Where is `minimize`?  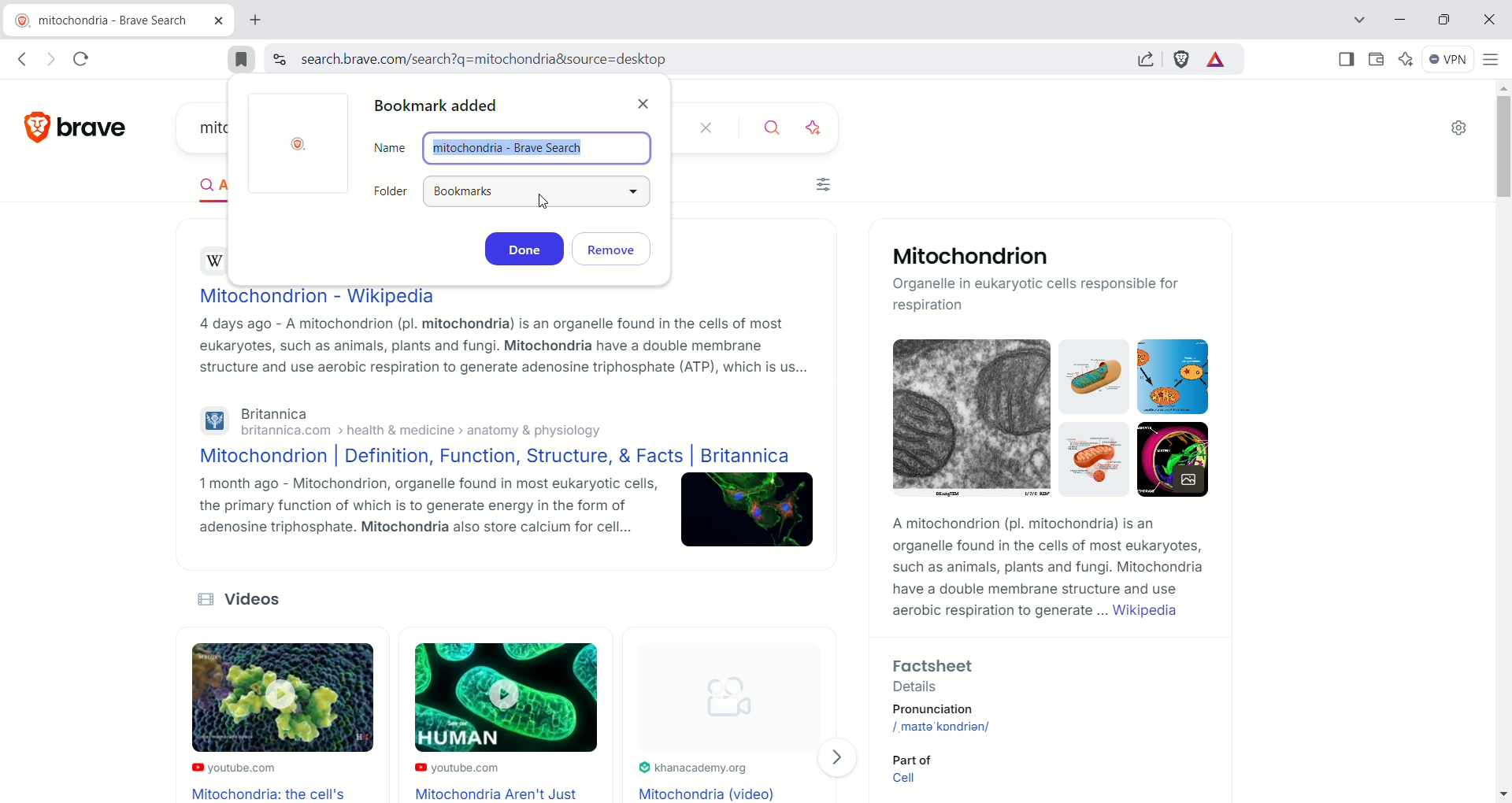 minimize is located at coordinates (1401, 19).